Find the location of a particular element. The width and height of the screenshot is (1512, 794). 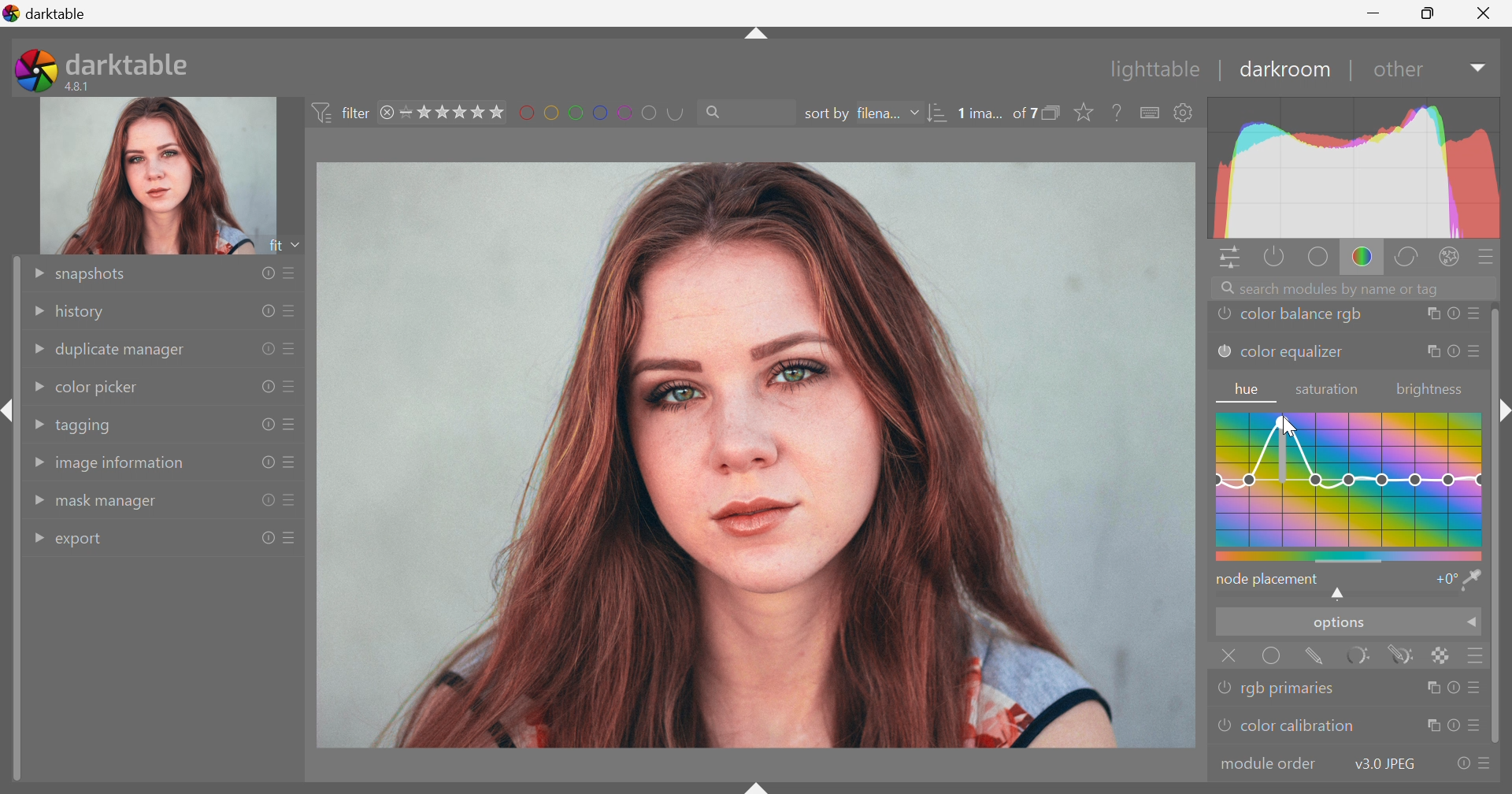

image information is located at coordinates (121, 467).